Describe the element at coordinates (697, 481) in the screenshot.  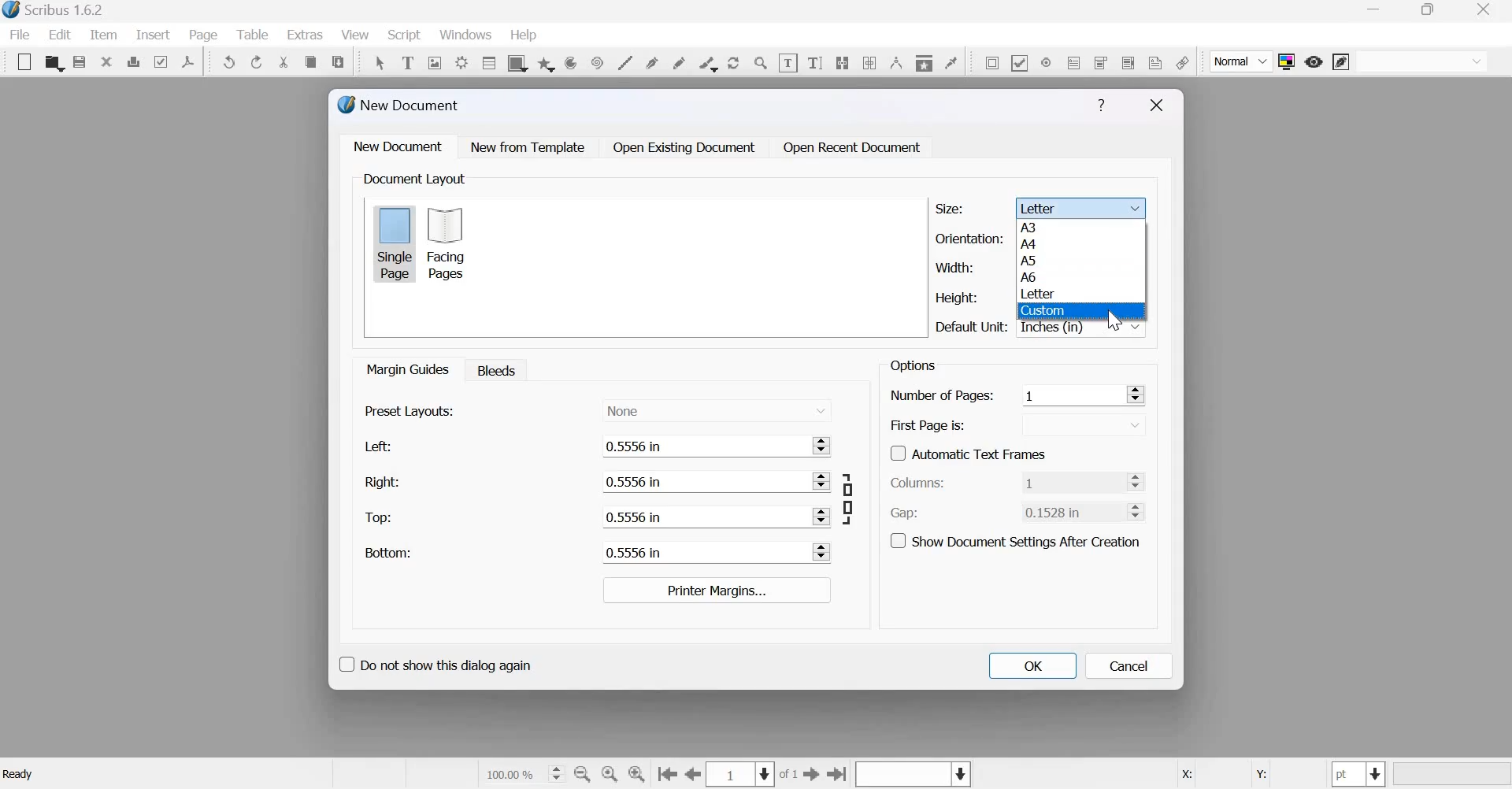
I see `0.5556 in` at that location.